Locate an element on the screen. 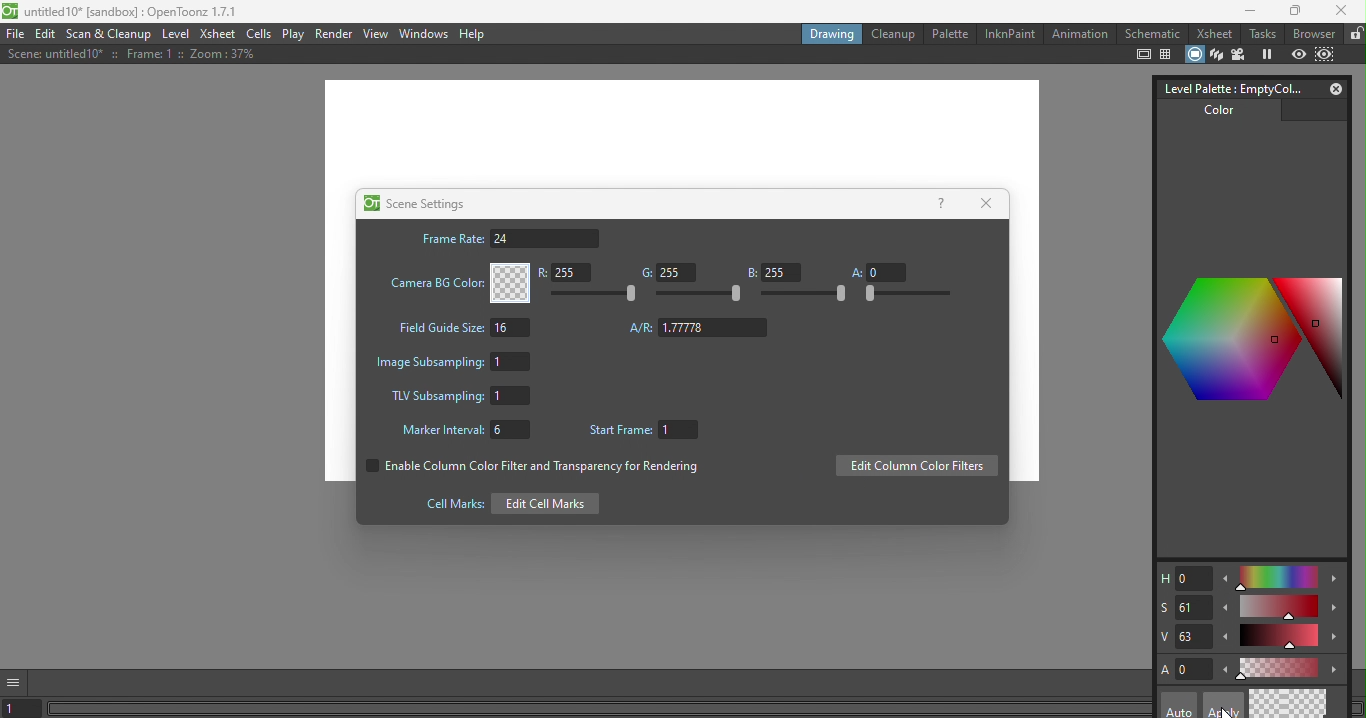 The width and height of the screenshot is (1366, 718). Decrease is located at coordinates (1225, 611).